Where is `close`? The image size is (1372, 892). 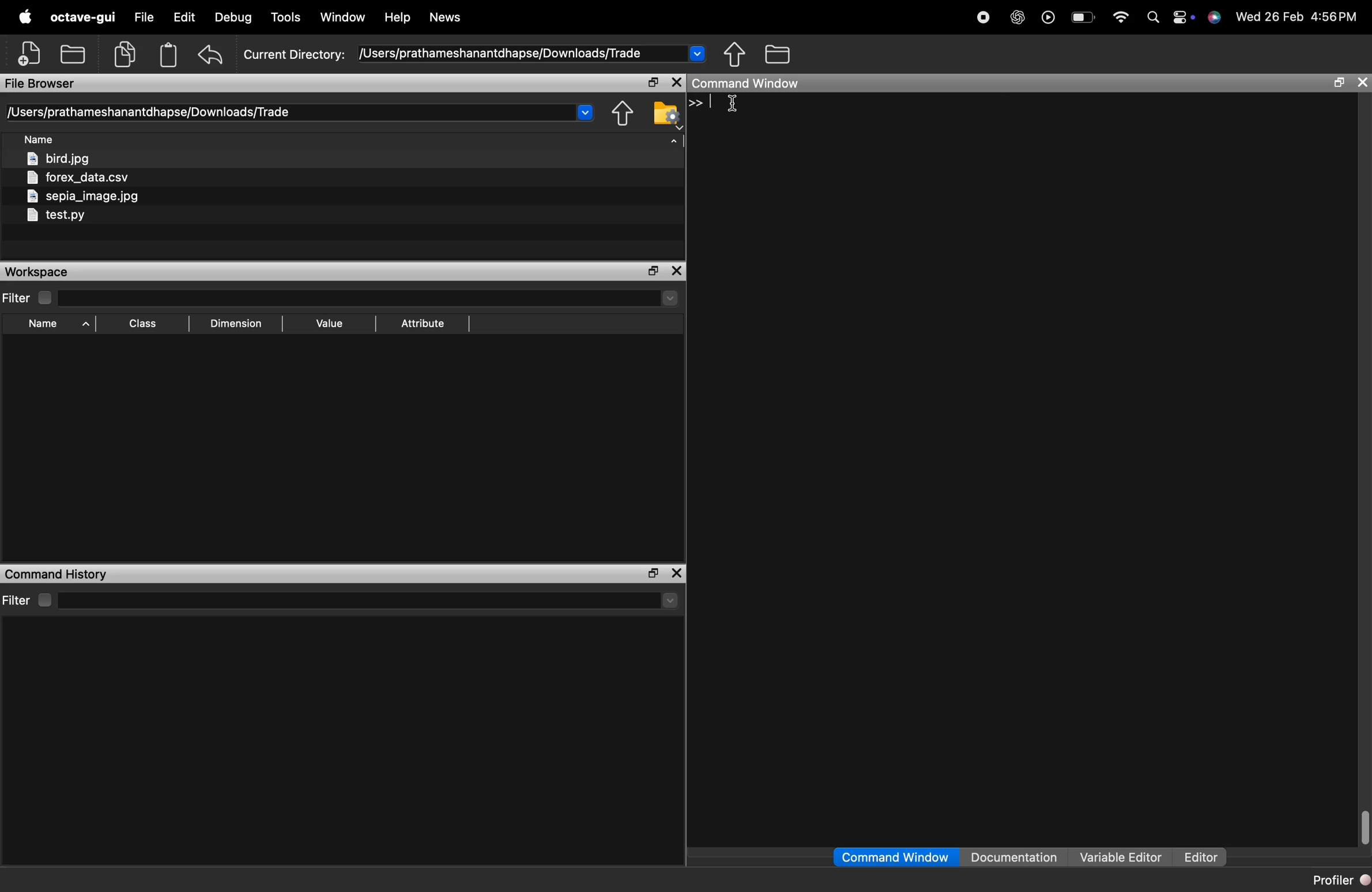 close is located at coordinates (676, 271).